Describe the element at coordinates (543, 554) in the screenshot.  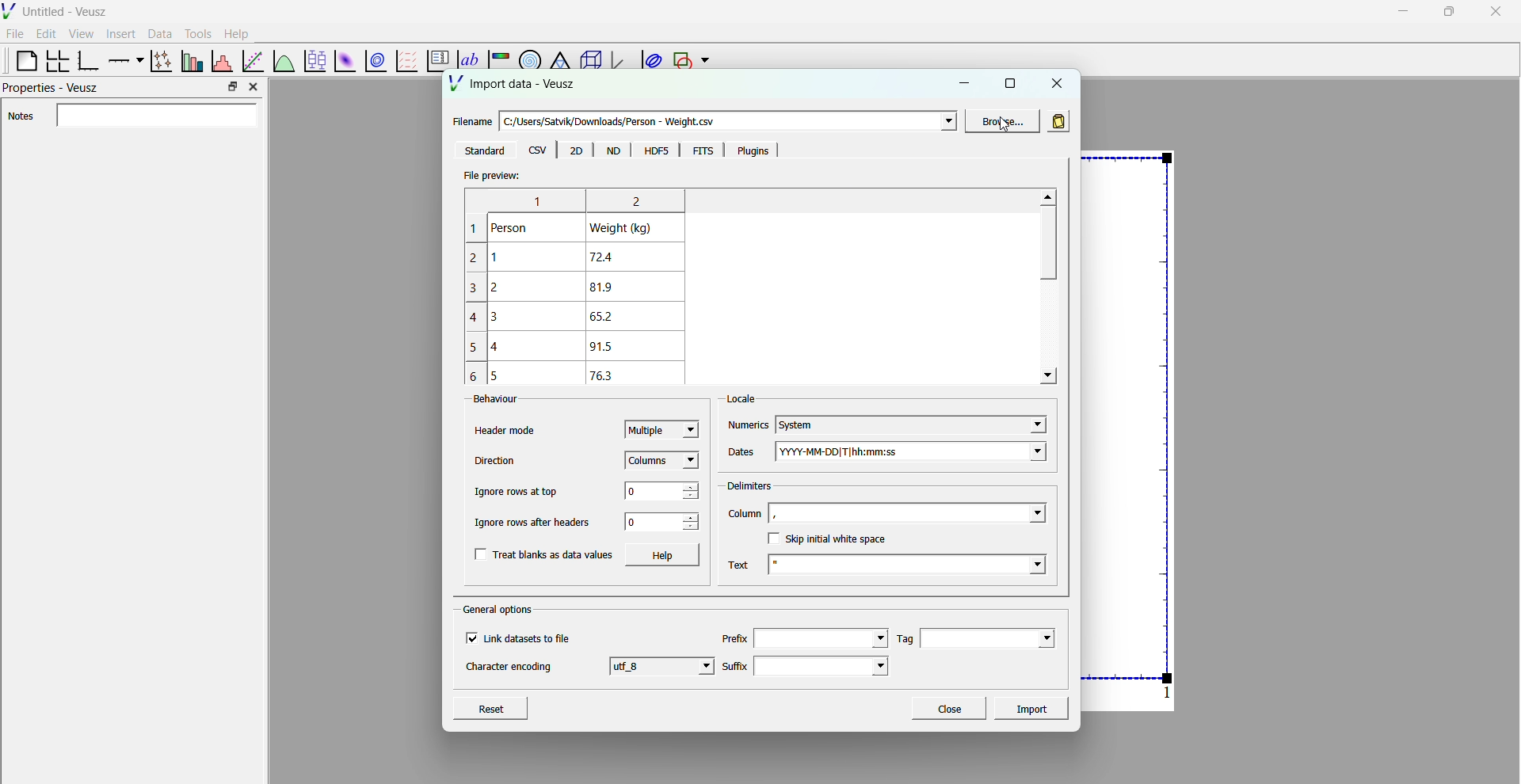
I see `Treat blanks as data values` at that location.